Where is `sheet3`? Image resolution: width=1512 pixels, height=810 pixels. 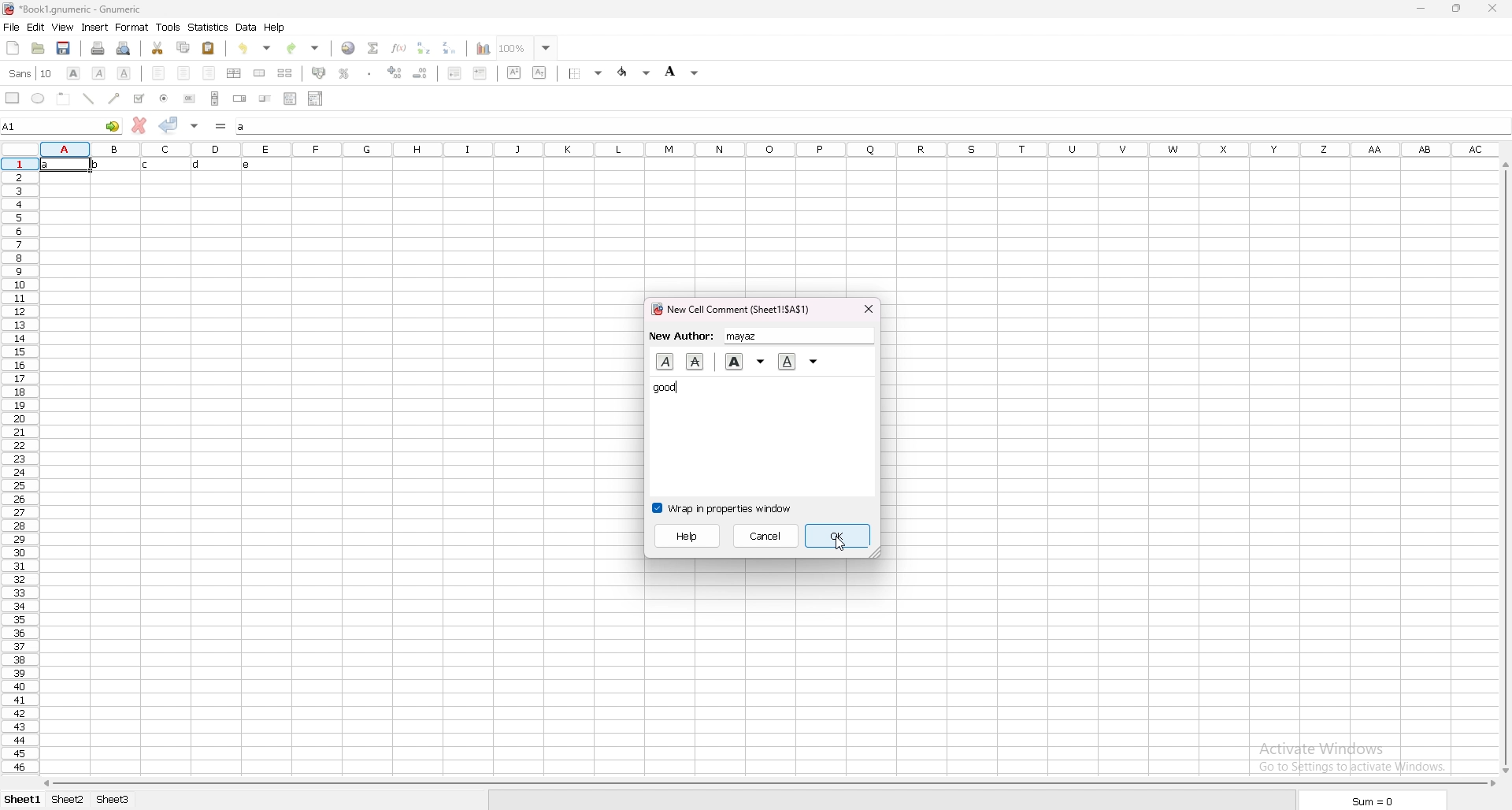 sheet3 is located at coordinates (118, 802).